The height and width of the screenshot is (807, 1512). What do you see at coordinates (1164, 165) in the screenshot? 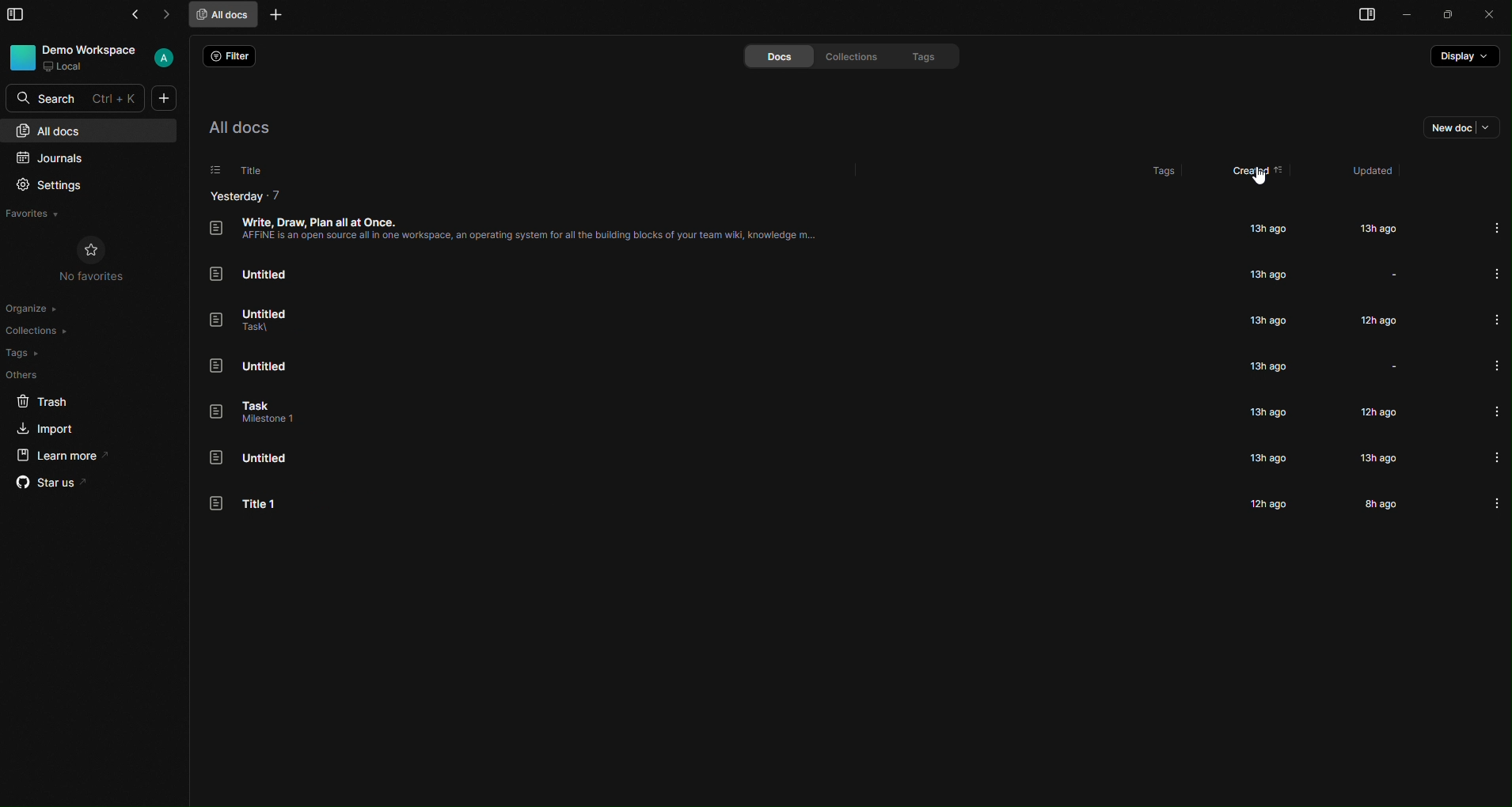
I see `tags` at bounding box center [1164, 165].